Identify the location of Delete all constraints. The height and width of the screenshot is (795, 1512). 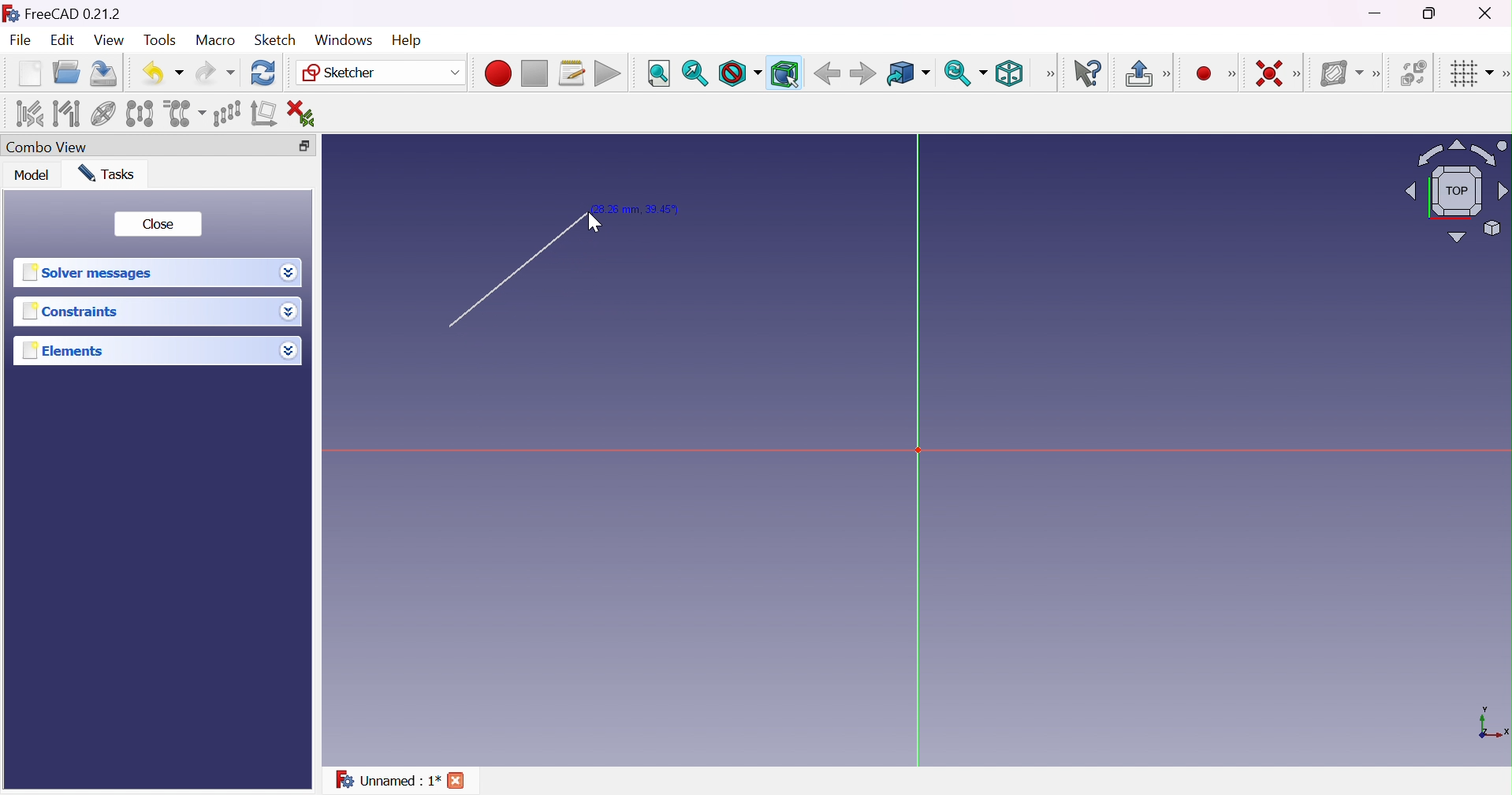
(306, 113).